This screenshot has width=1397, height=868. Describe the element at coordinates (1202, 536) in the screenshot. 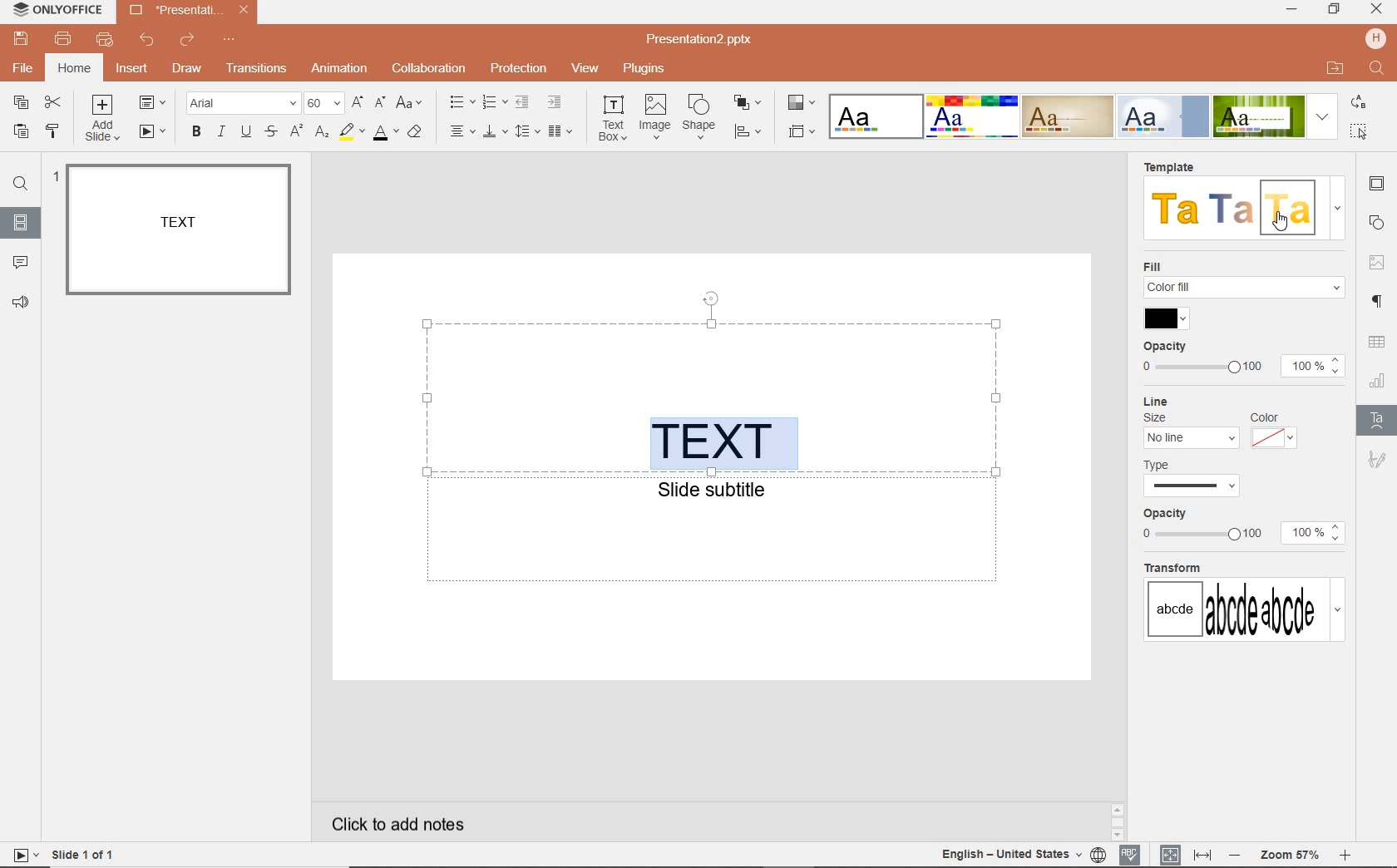

I see `opacity slider` at that location.